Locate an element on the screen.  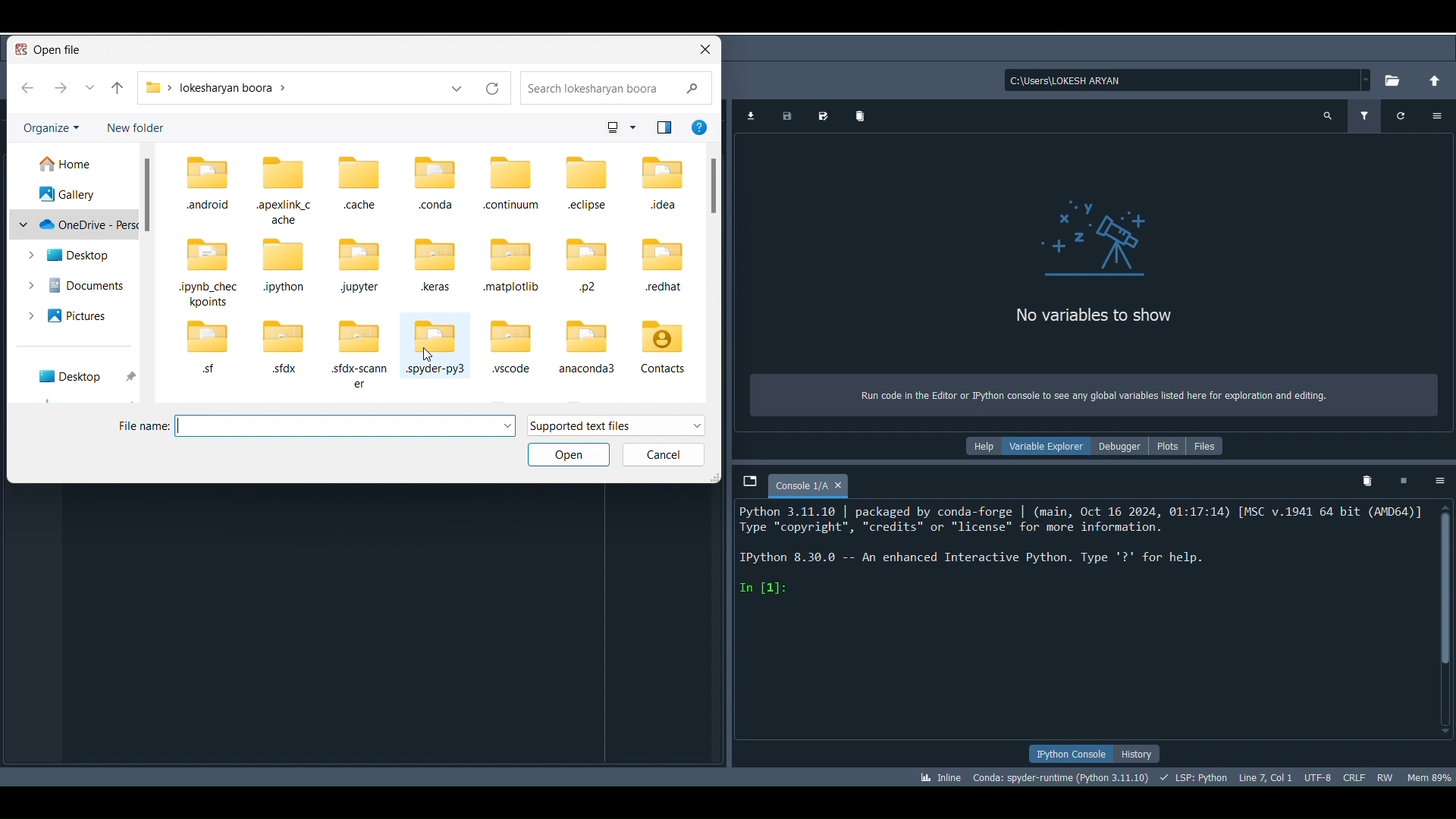
Home is located at coordinates (62, 164).